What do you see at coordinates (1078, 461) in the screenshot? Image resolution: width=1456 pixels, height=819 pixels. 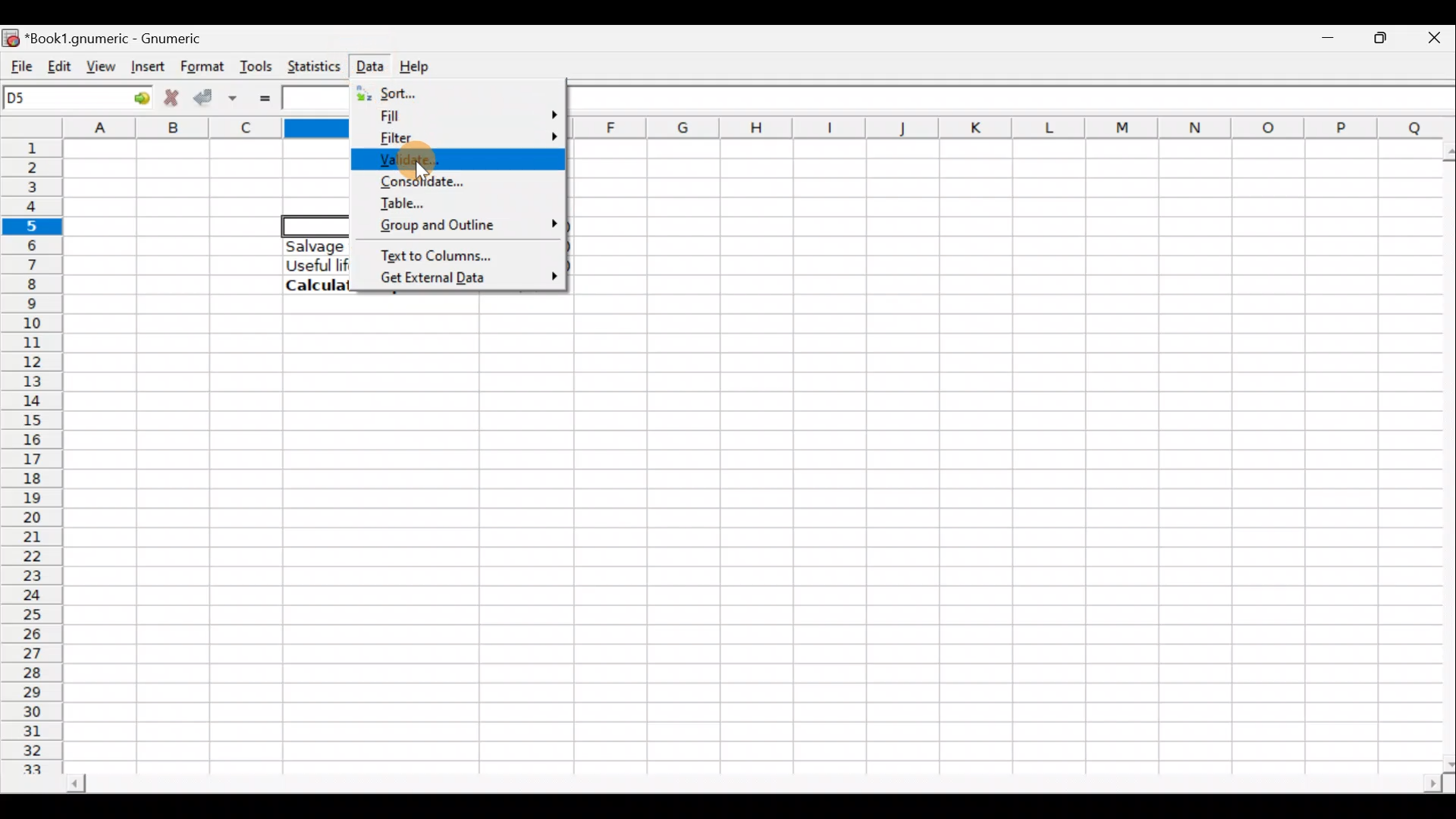 I see `Cells` at bounding box center [1078, 461].